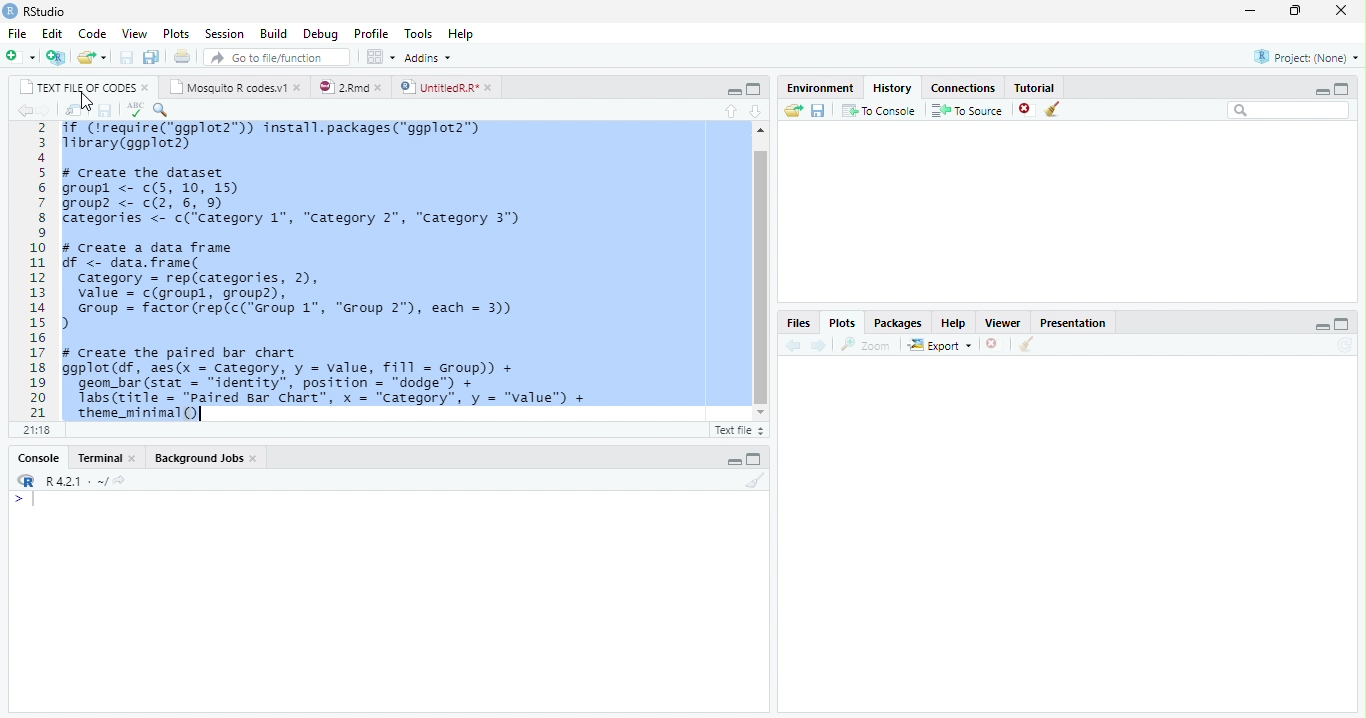  Describe the element at coordinates (1021, 110) in the screenshot. I see `remove selected history` at that location.